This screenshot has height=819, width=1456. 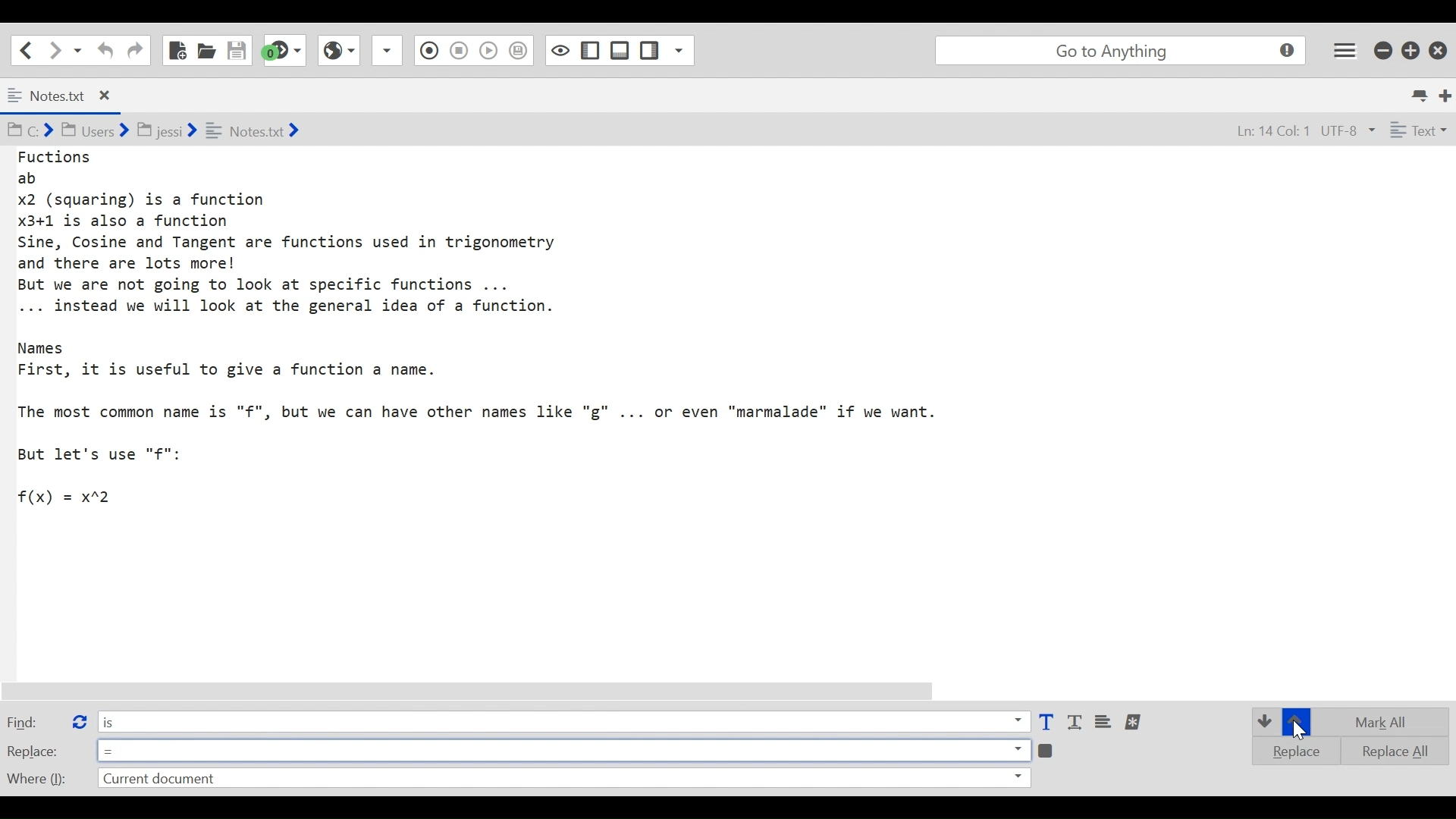 What do you see at coordinates (185, 132) in the screenshot?
I see `Cd BY Users ¥ BJ jessi ¥ = Notesixt &` at bounding box center [185, 132].